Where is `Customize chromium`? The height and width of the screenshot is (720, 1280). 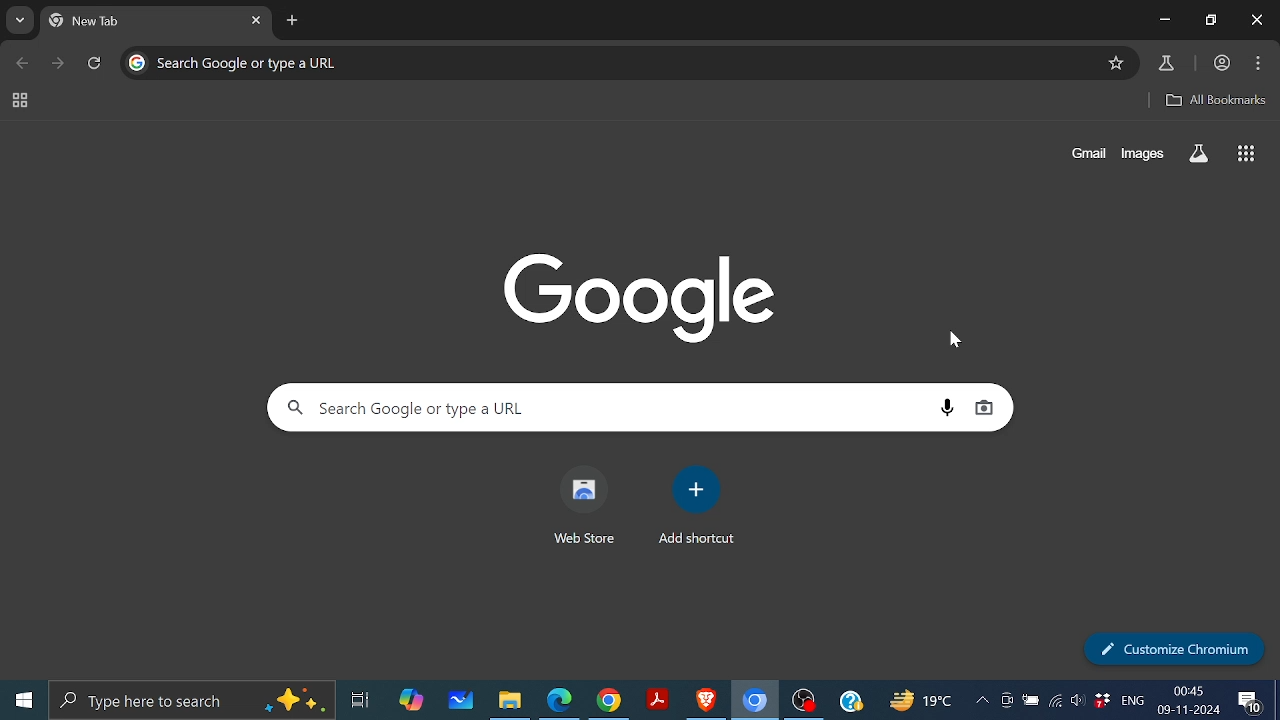 Customize chromium is located at coordinates (1168, 647).